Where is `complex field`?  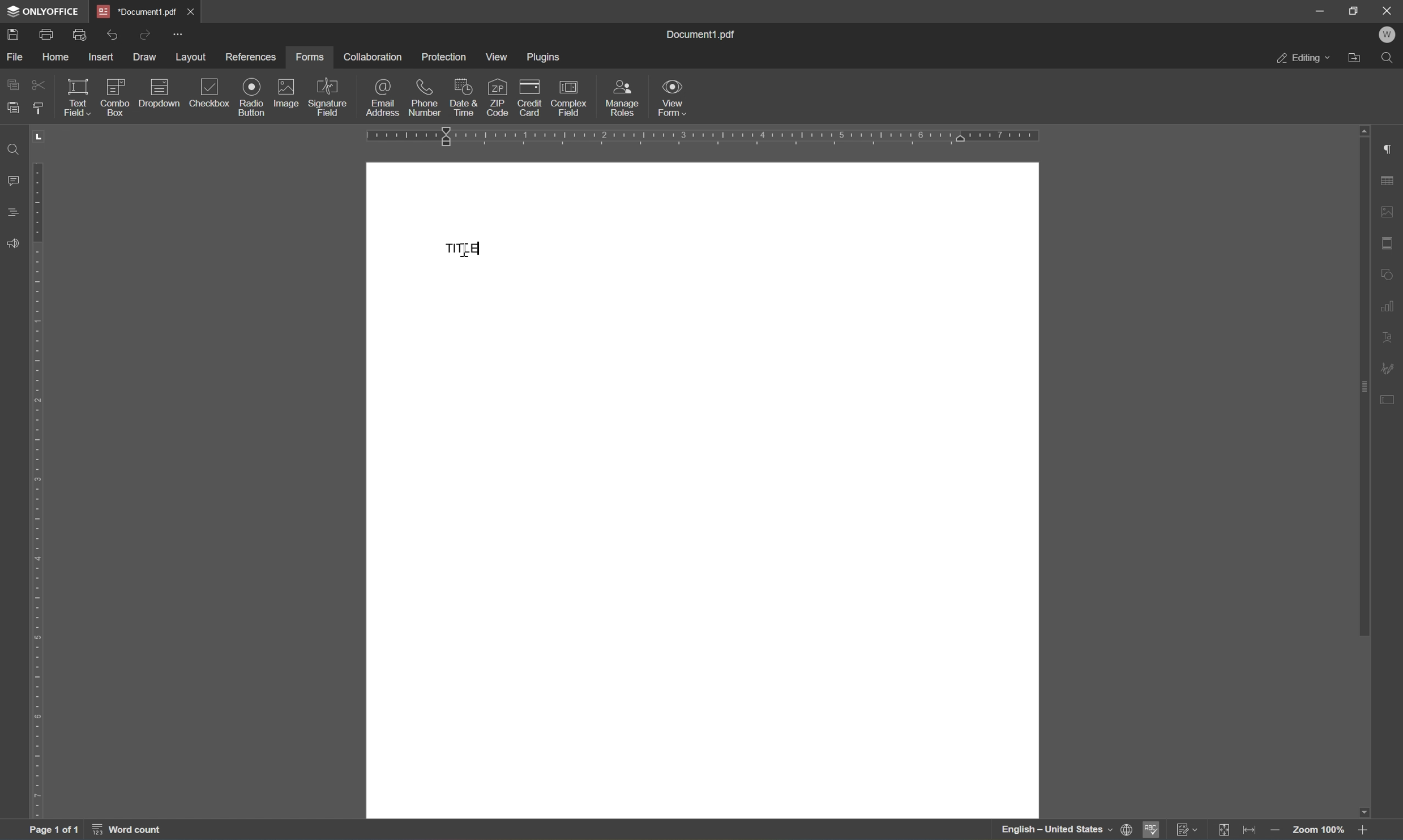
complex field is located at coordinates (570, 97).